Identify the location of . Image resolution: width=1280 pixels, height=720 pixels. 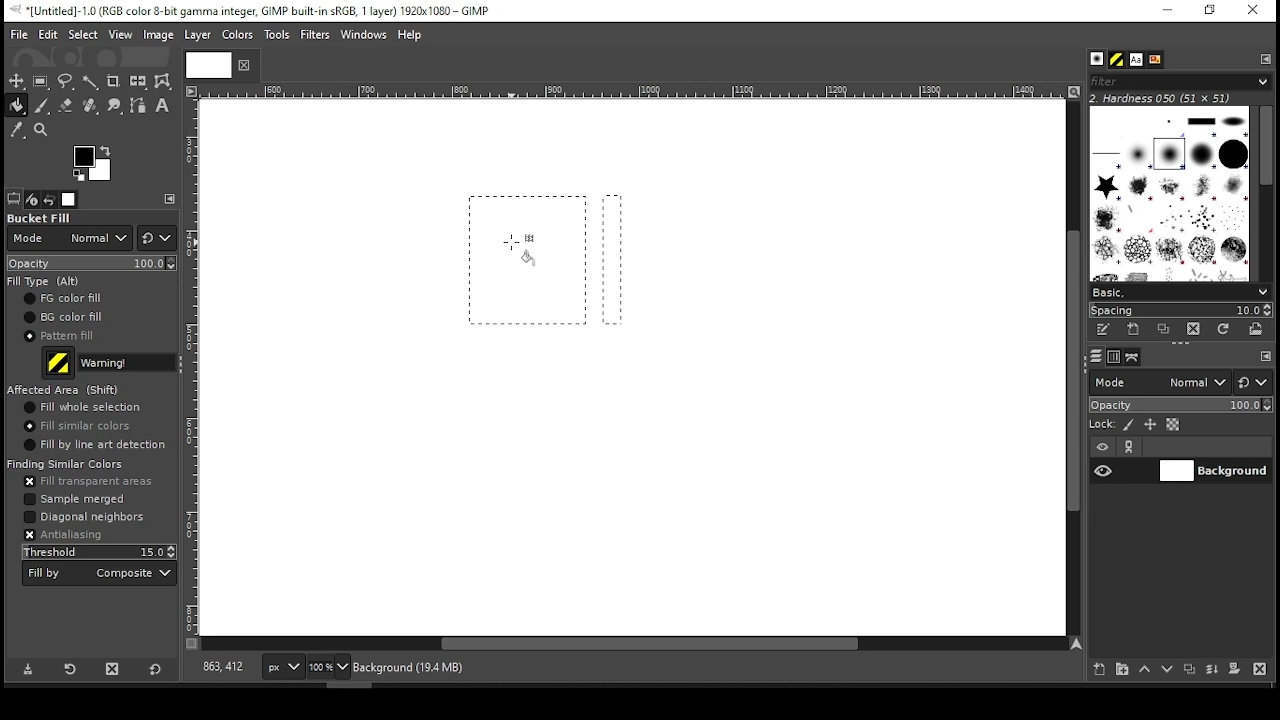
(629, 92).